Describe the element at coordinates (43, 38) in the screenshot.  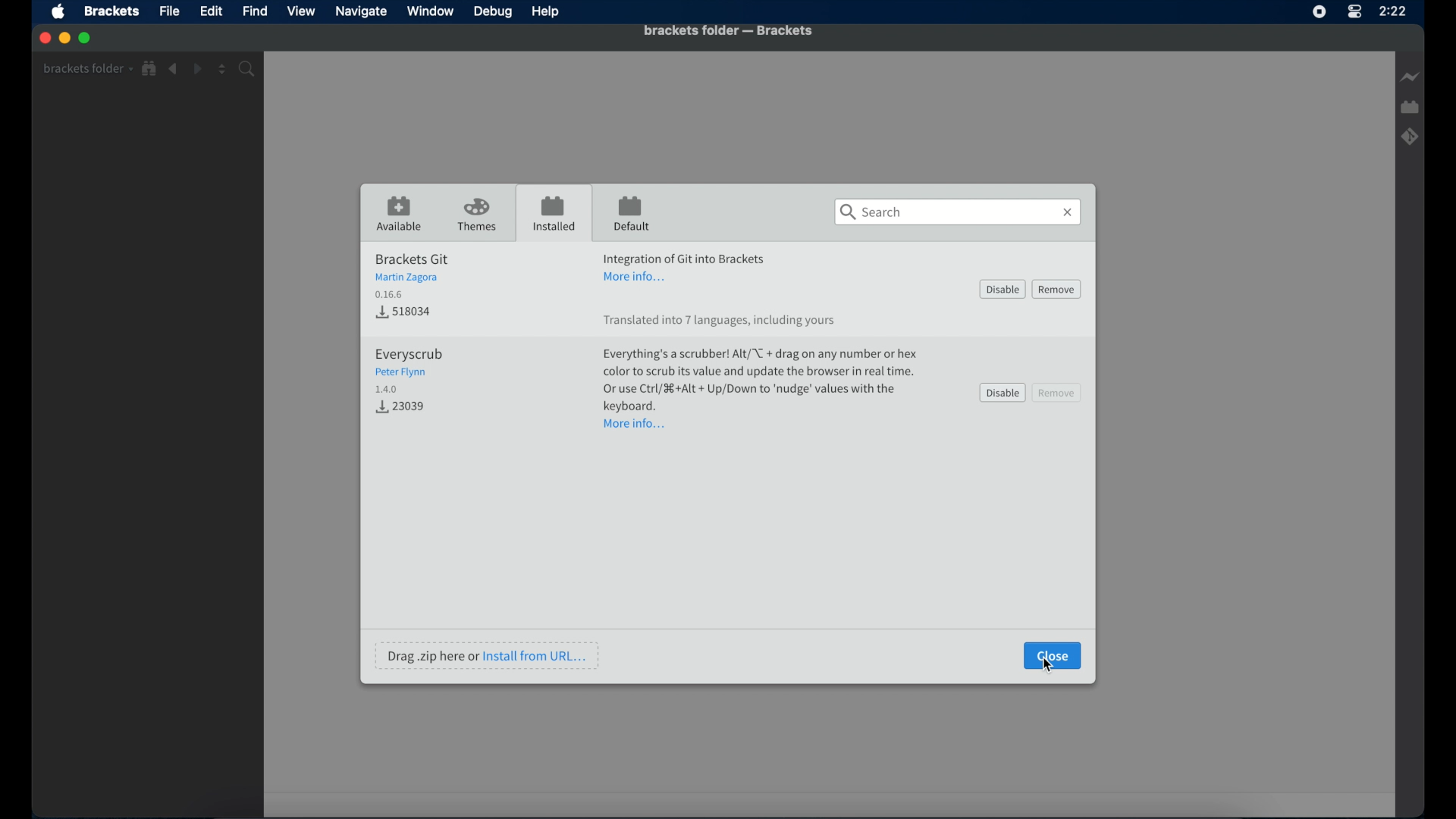
I see `close` at that location.